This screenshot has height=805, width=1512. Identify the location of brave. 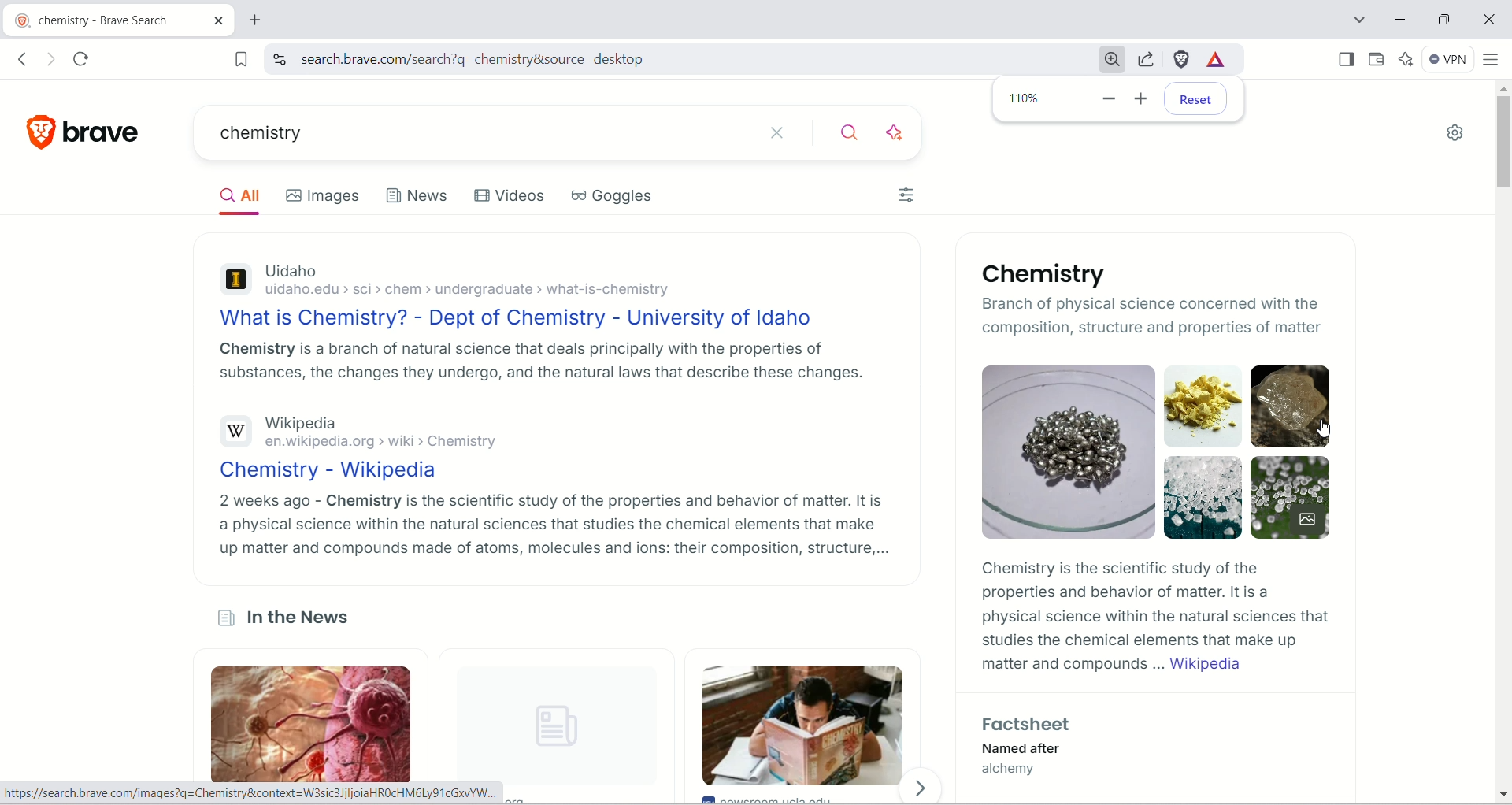
(101, 128).